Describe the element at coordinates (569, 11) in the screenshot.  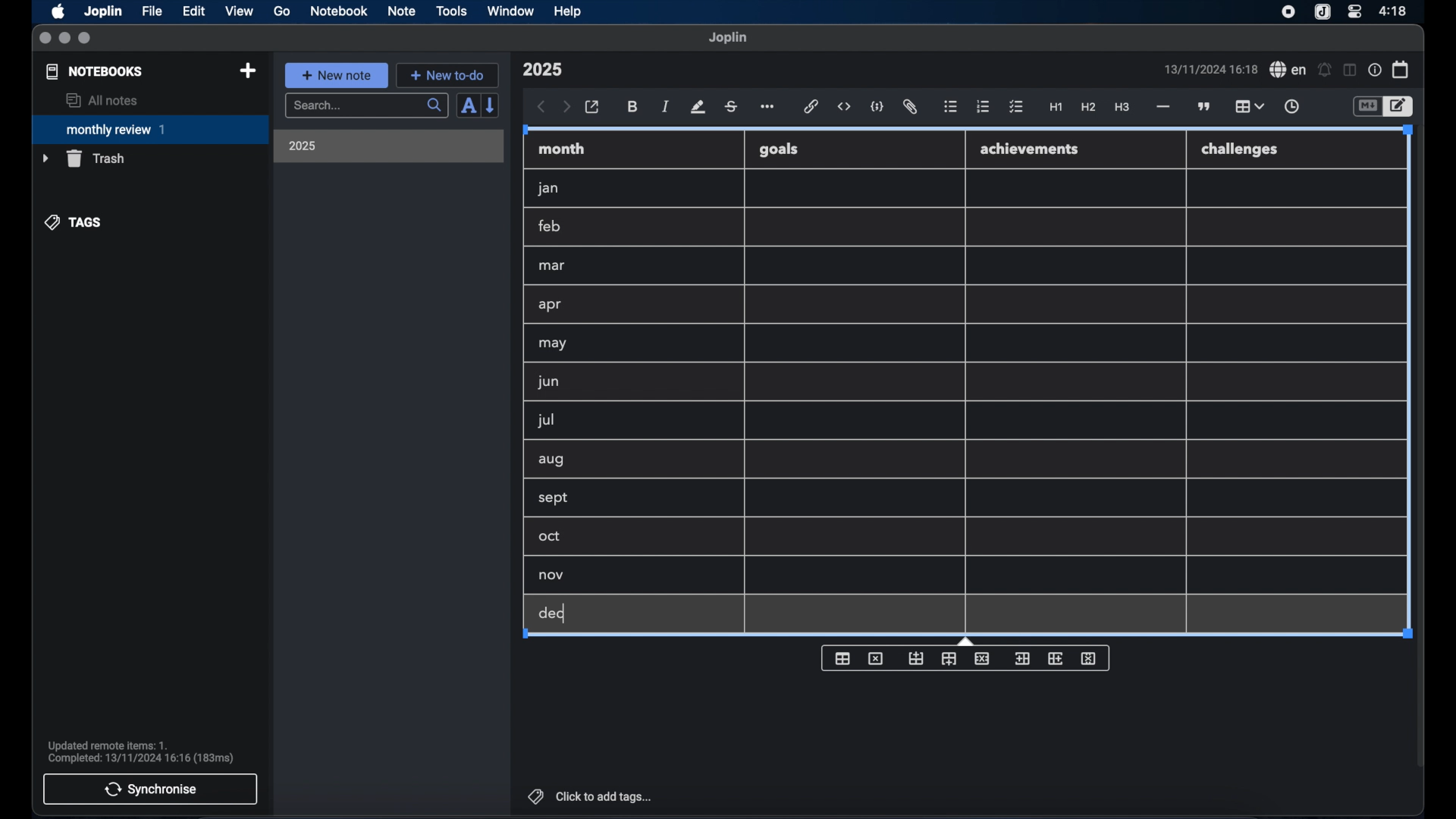
I see `help` at that location.